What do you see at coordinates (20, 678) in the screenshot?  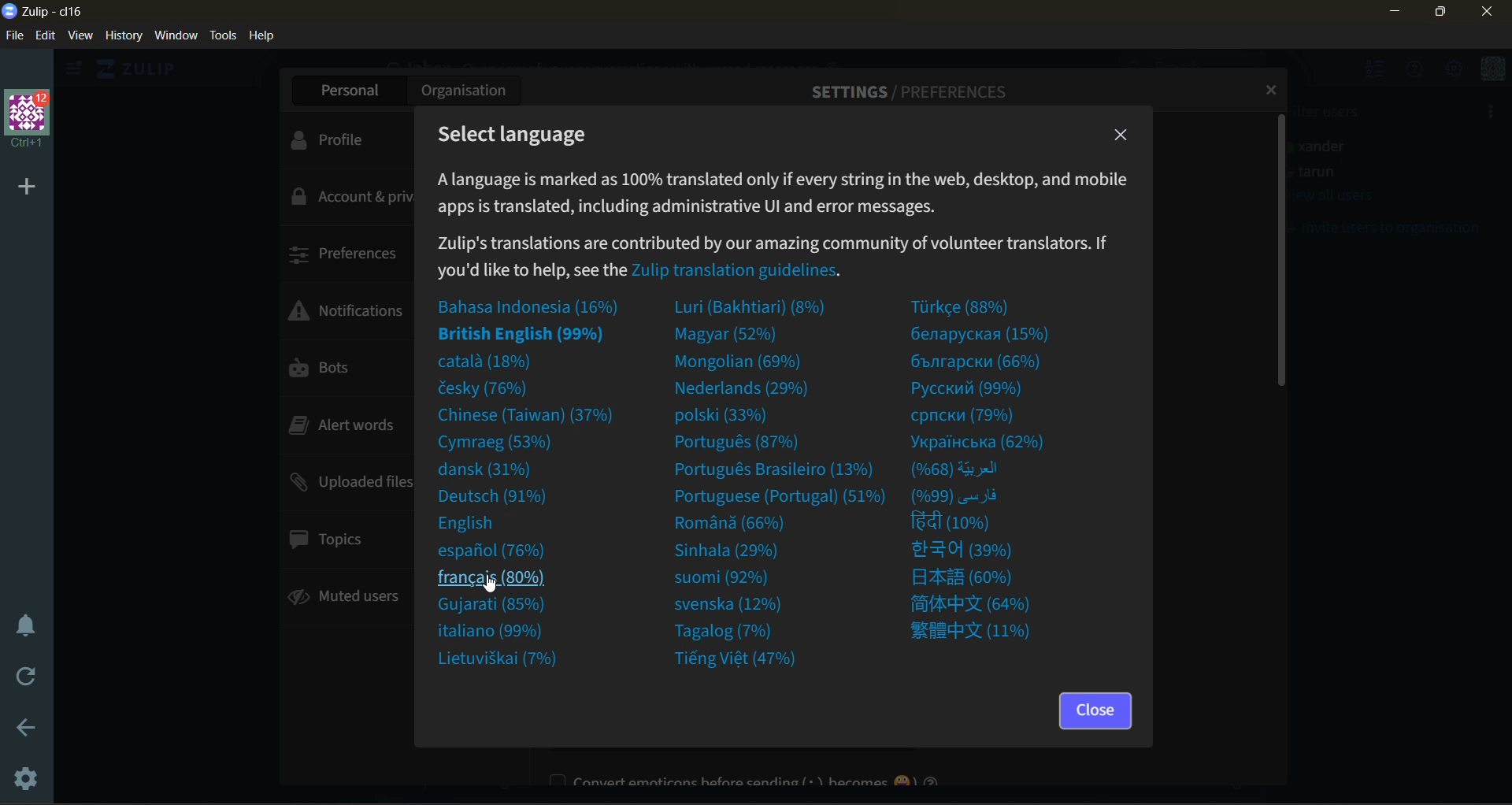 I see `reload` at bounding box center [20, 678].